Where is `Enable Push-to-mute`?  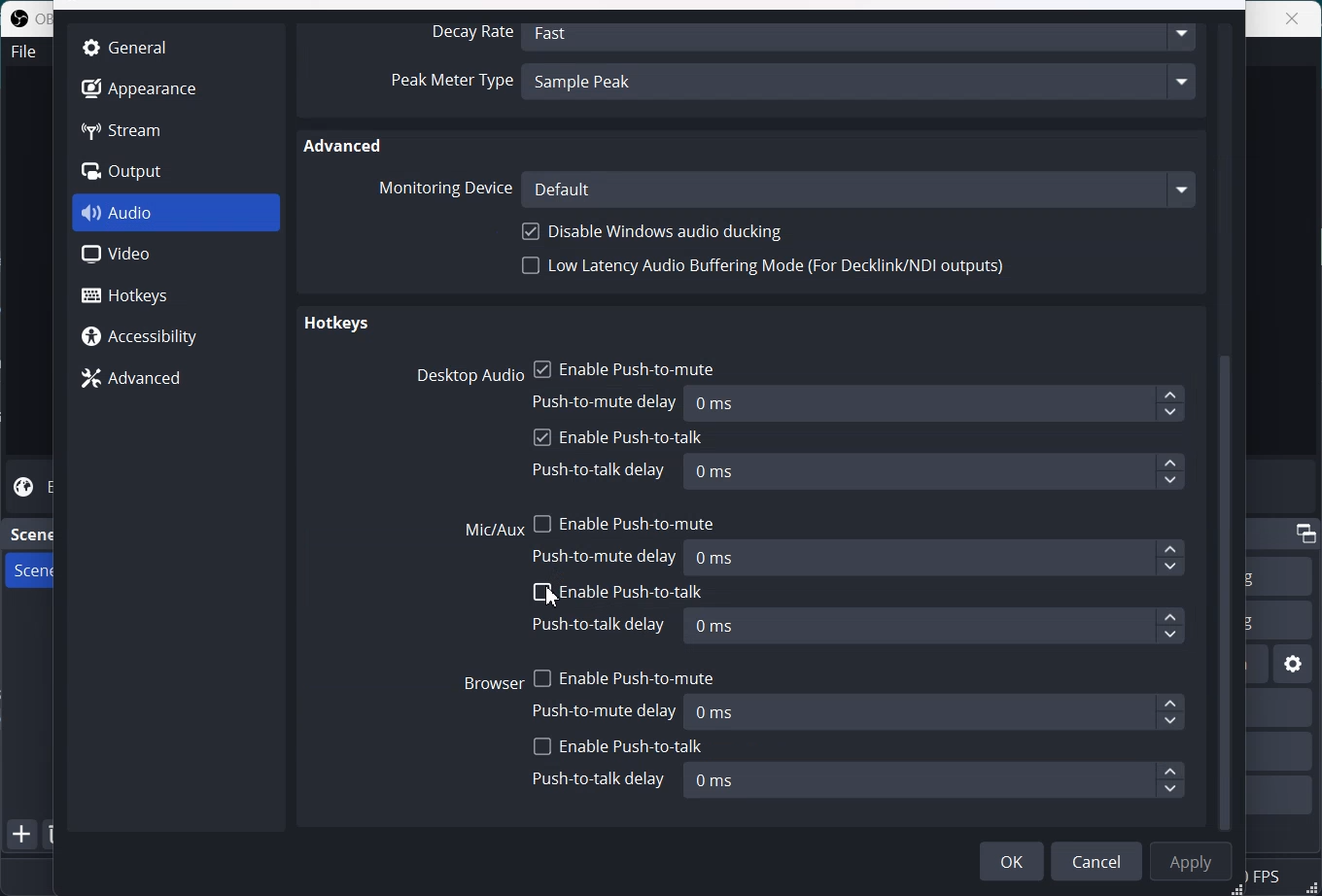
Enable Push-to-mute is located at coordinates (623, 674).